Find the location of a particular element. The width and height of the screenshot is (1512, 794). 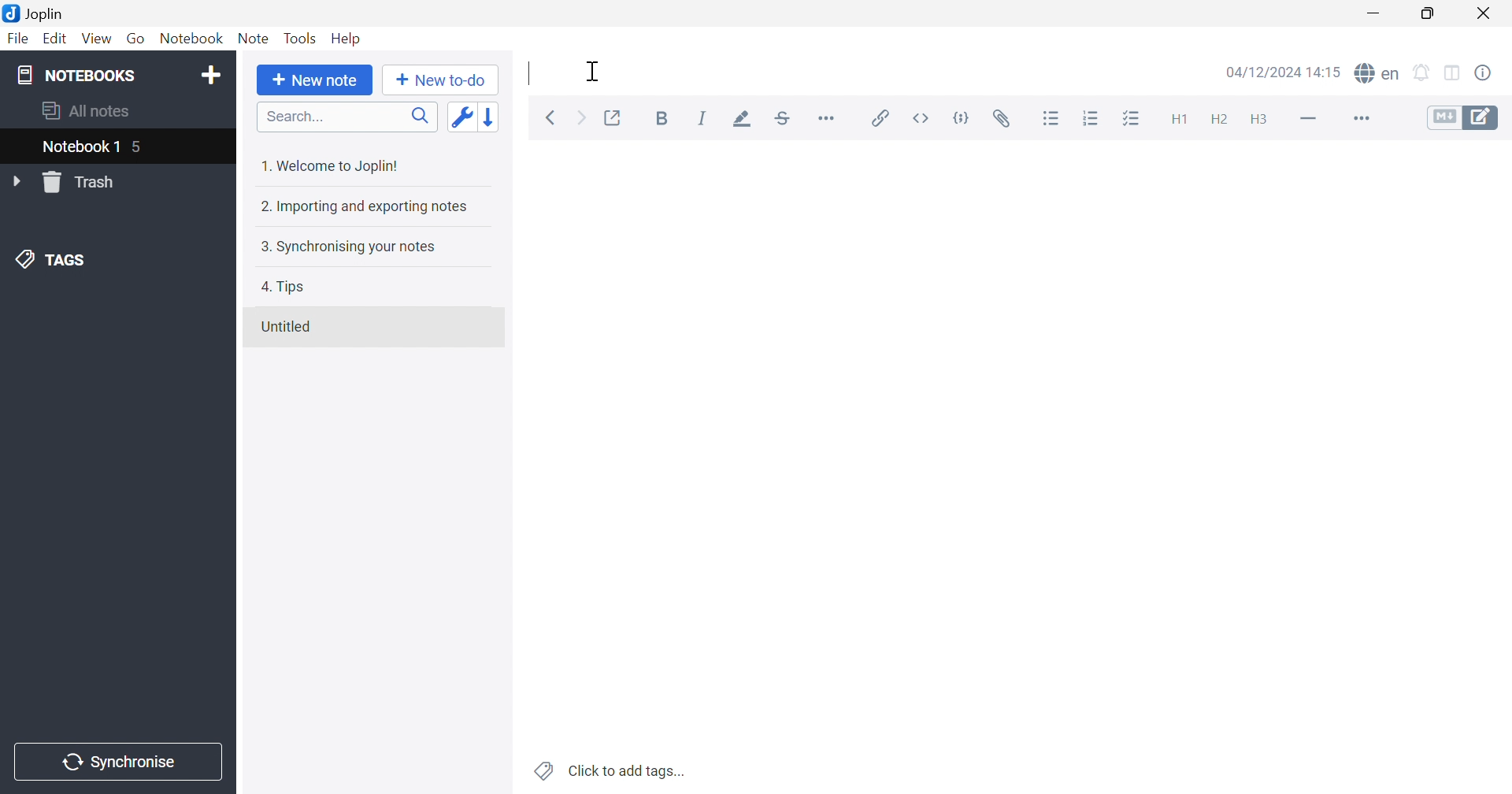

New to-do is located at coordinates (439, 80).